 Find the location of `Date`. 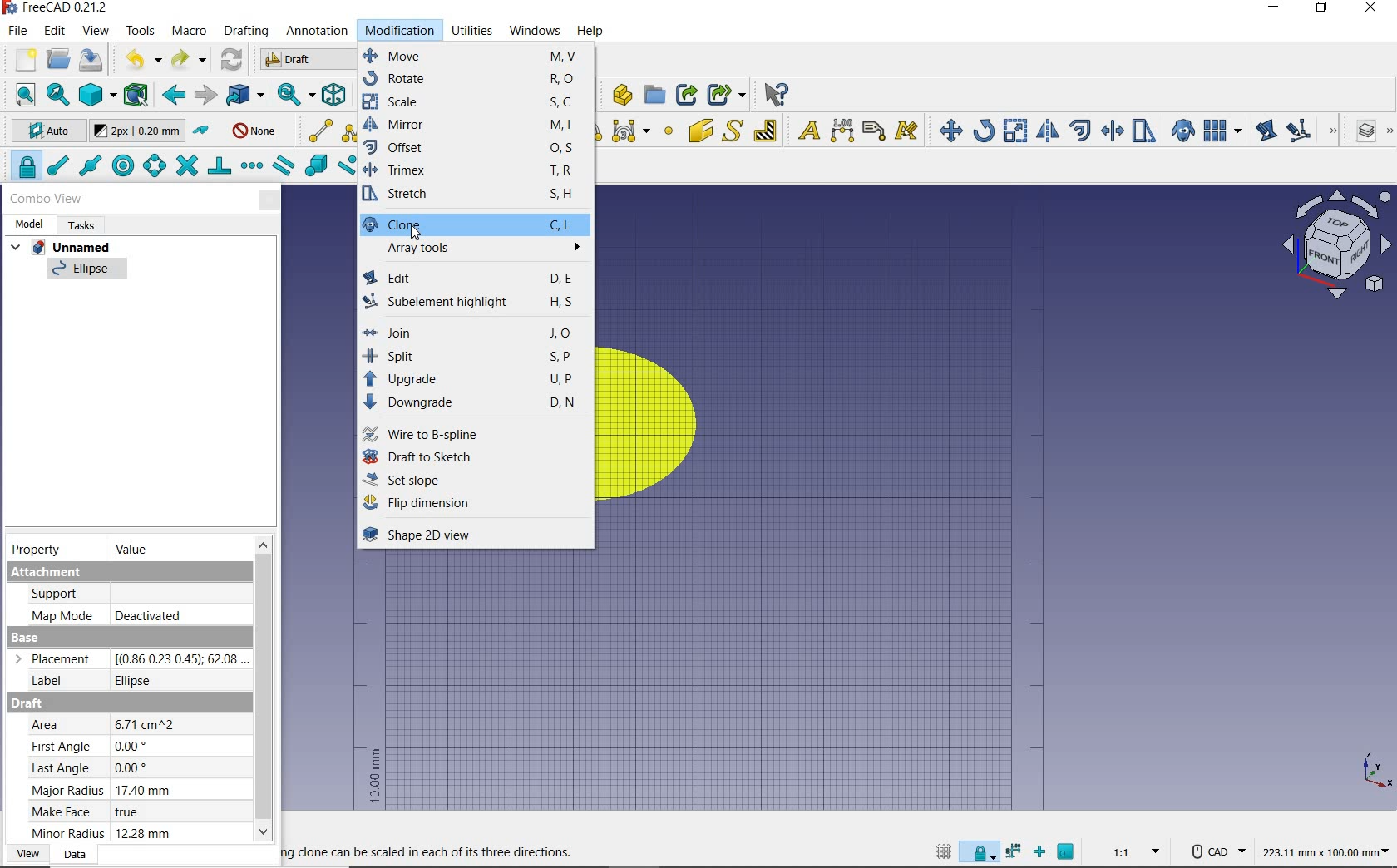

Date is located at coordinates (74, 855).